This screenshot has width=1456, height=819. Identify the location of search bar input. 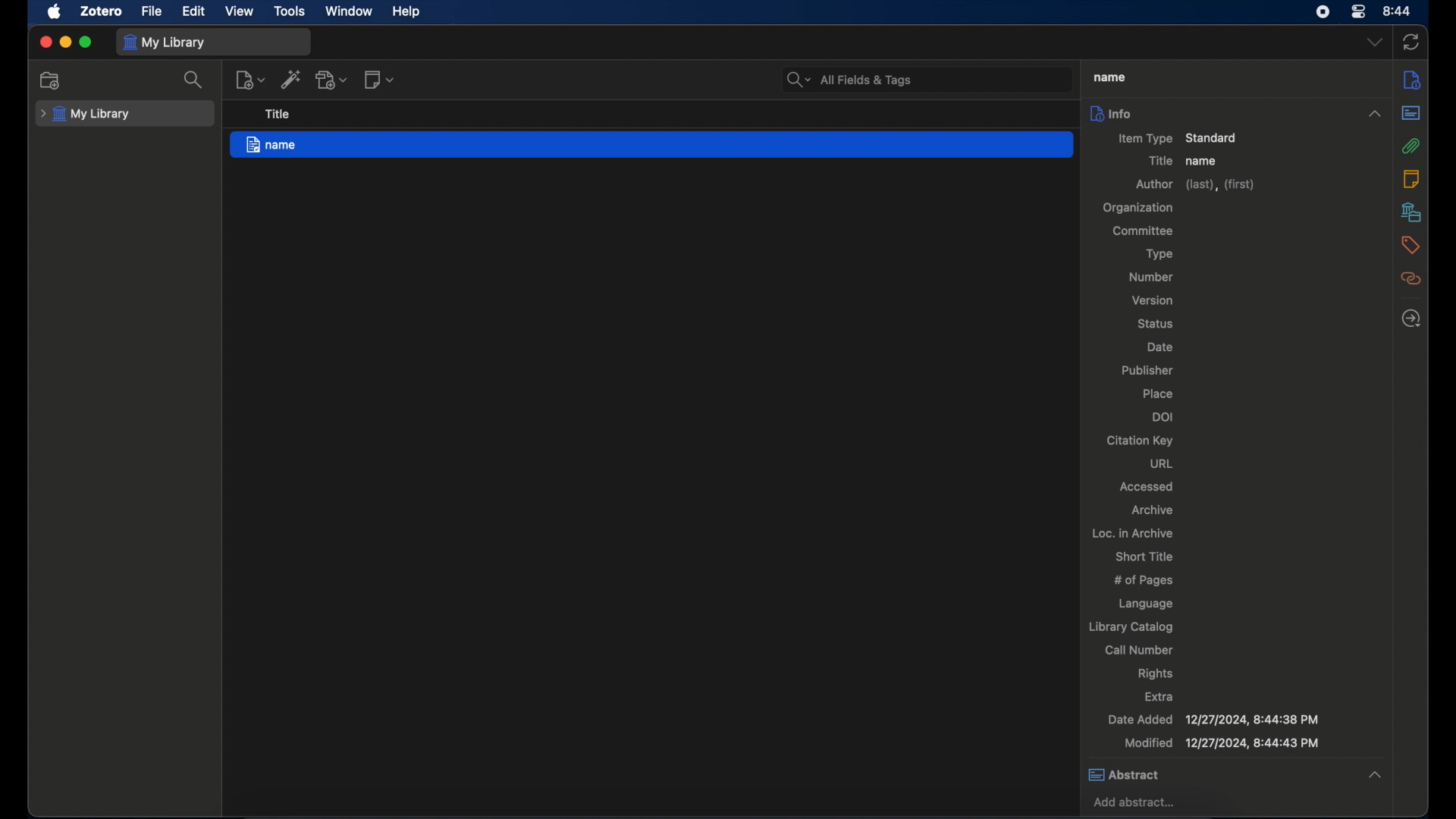
(946, 79).